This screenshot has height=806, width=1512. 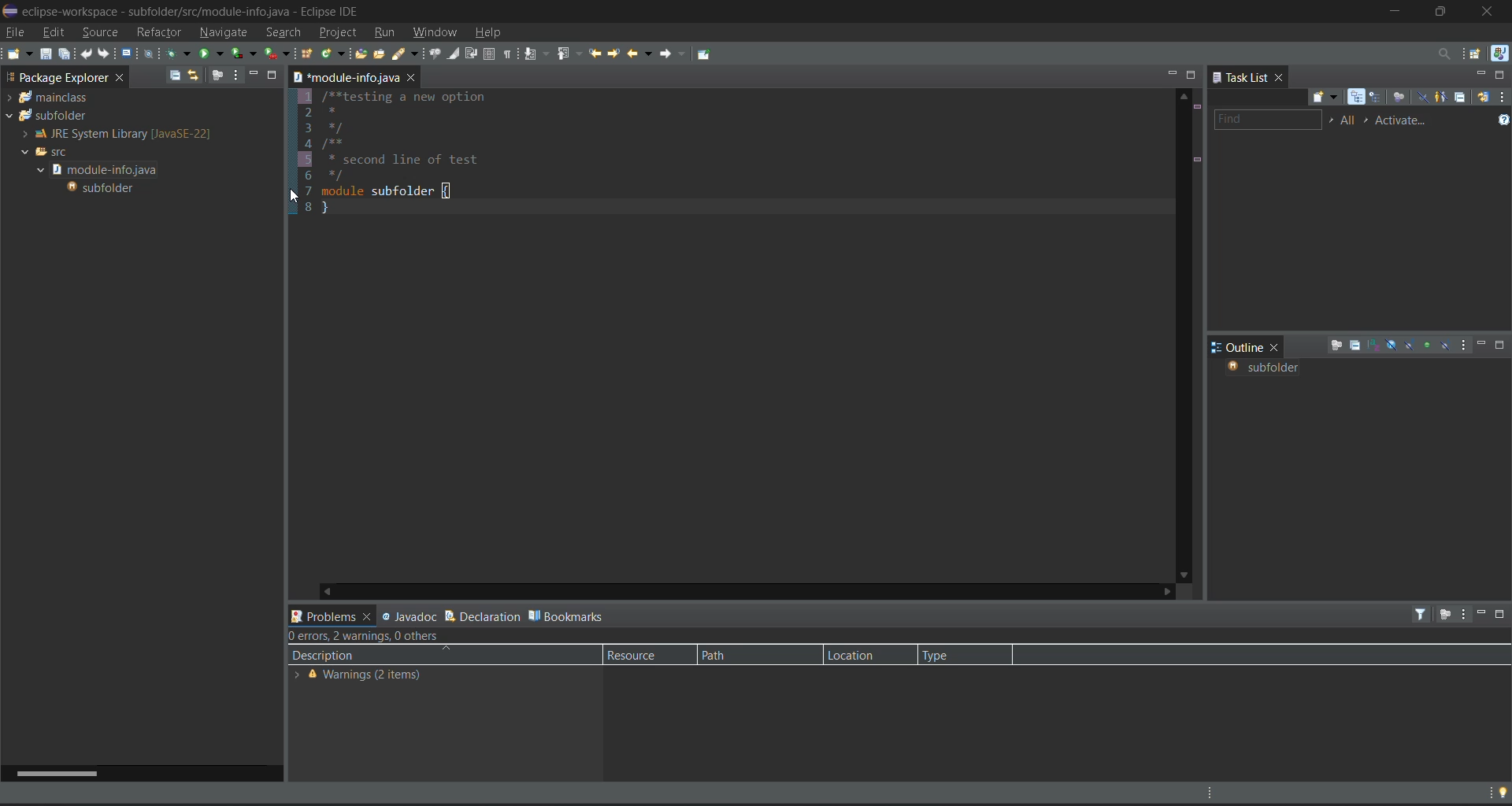 I want to click on open task, so click(x=383, y=57).